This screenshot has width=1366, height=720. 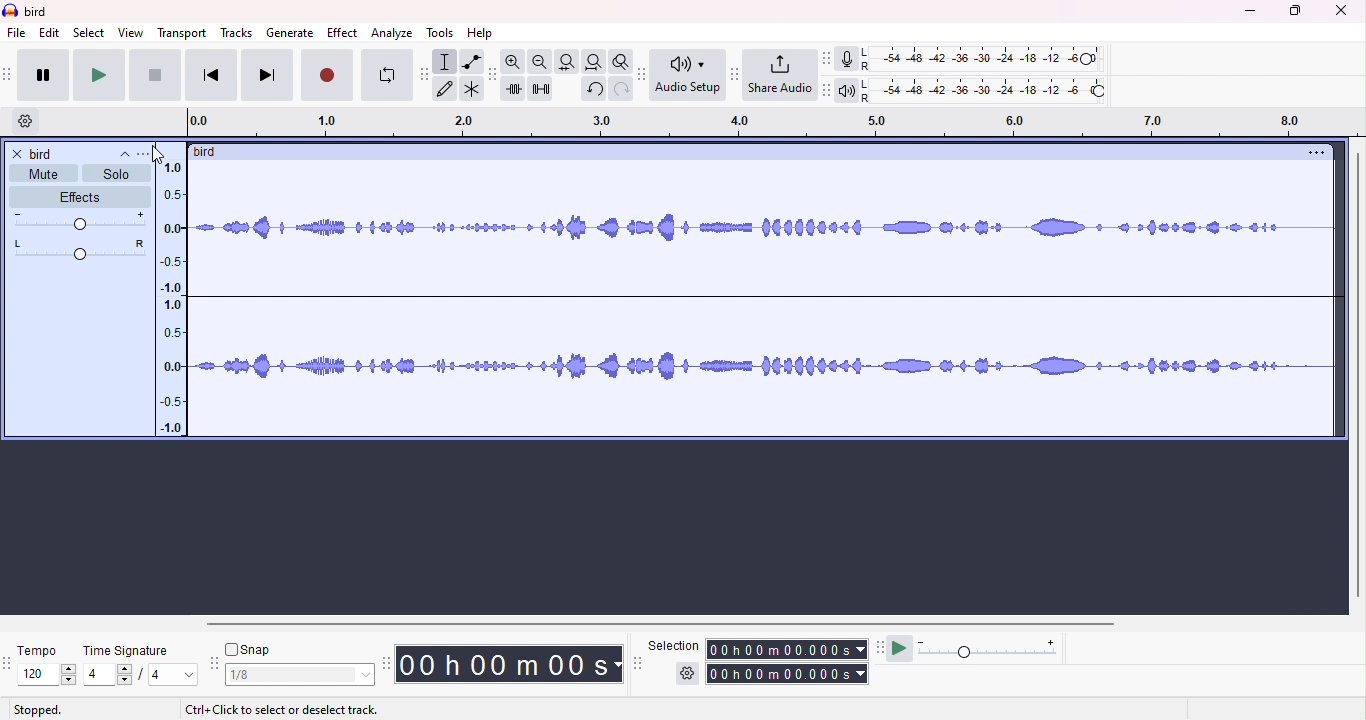 What do you see at coordinates (441, 33) in the screenshot?
I see `tools` at bounding box center [441, 33].